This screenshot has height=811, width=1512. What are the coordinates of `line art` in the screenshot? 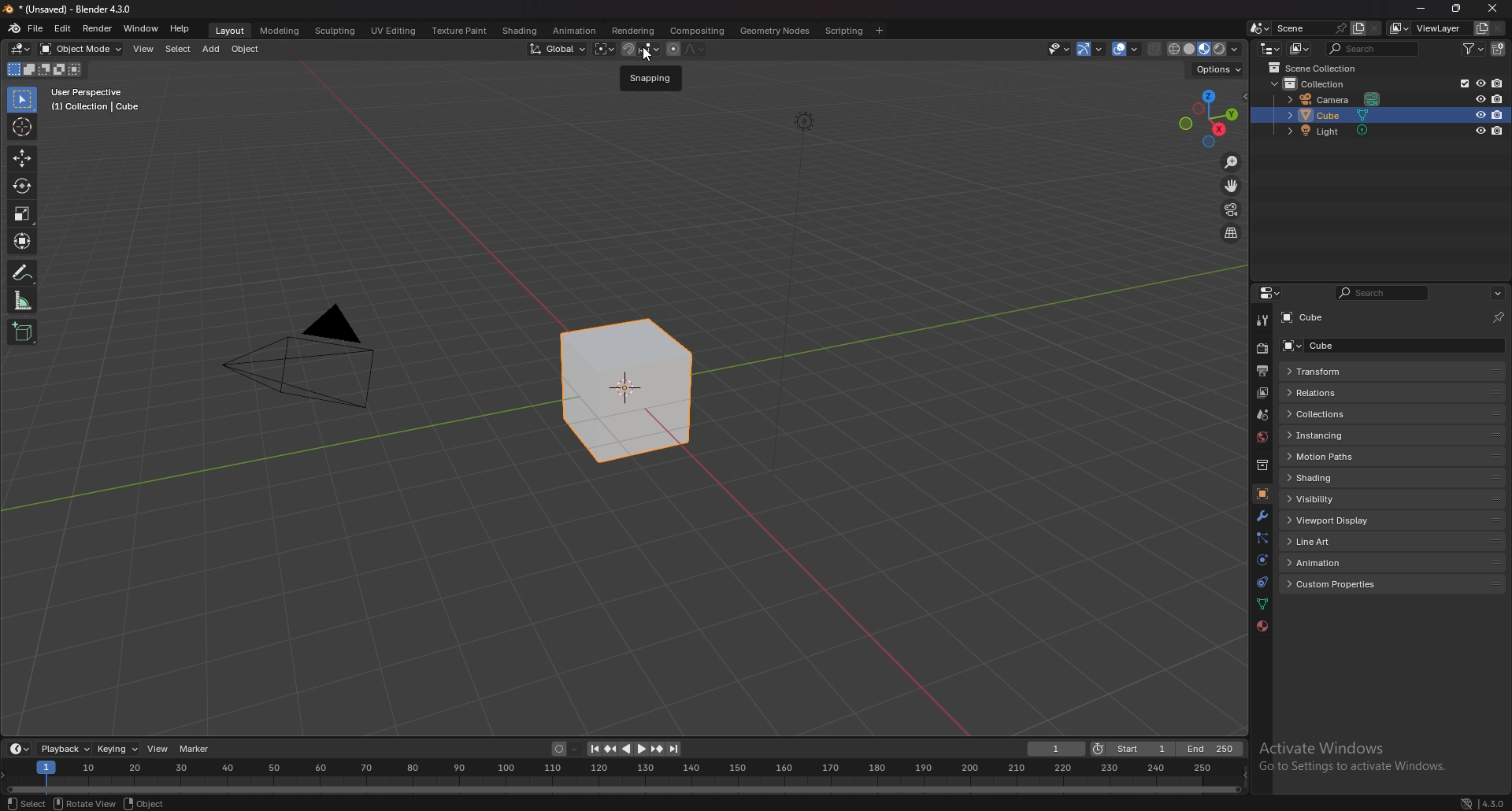 It's located at (1335, 541).